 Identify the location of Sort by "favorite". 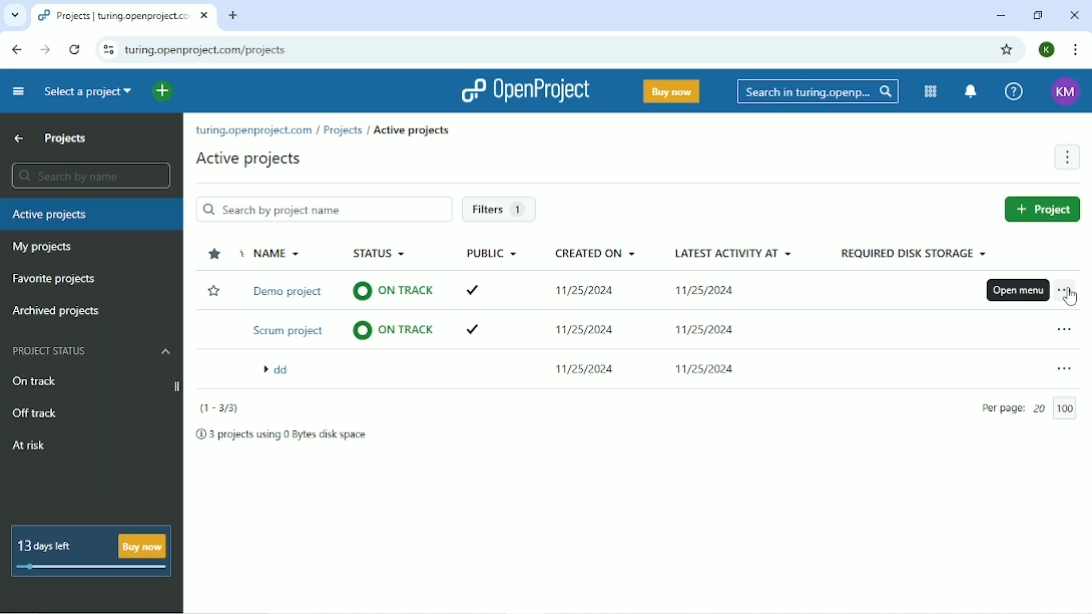
(215, 255).